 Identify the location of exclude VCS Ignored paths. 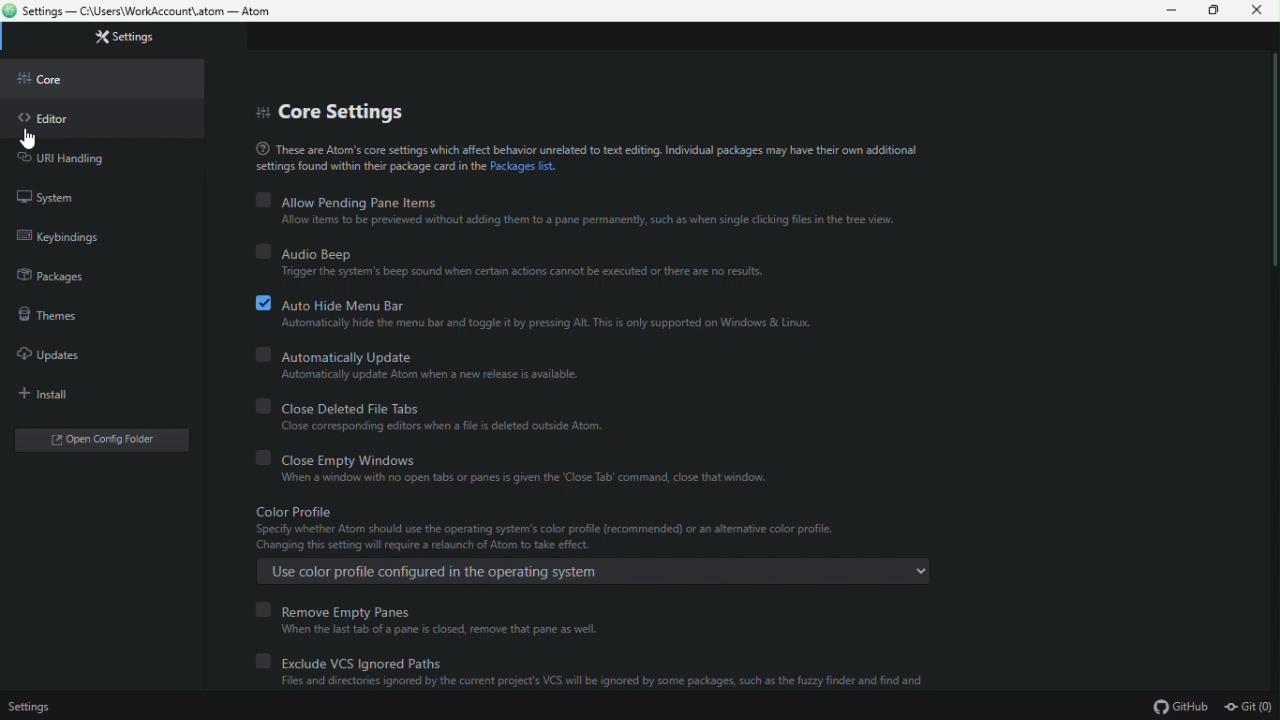
(611, 661).